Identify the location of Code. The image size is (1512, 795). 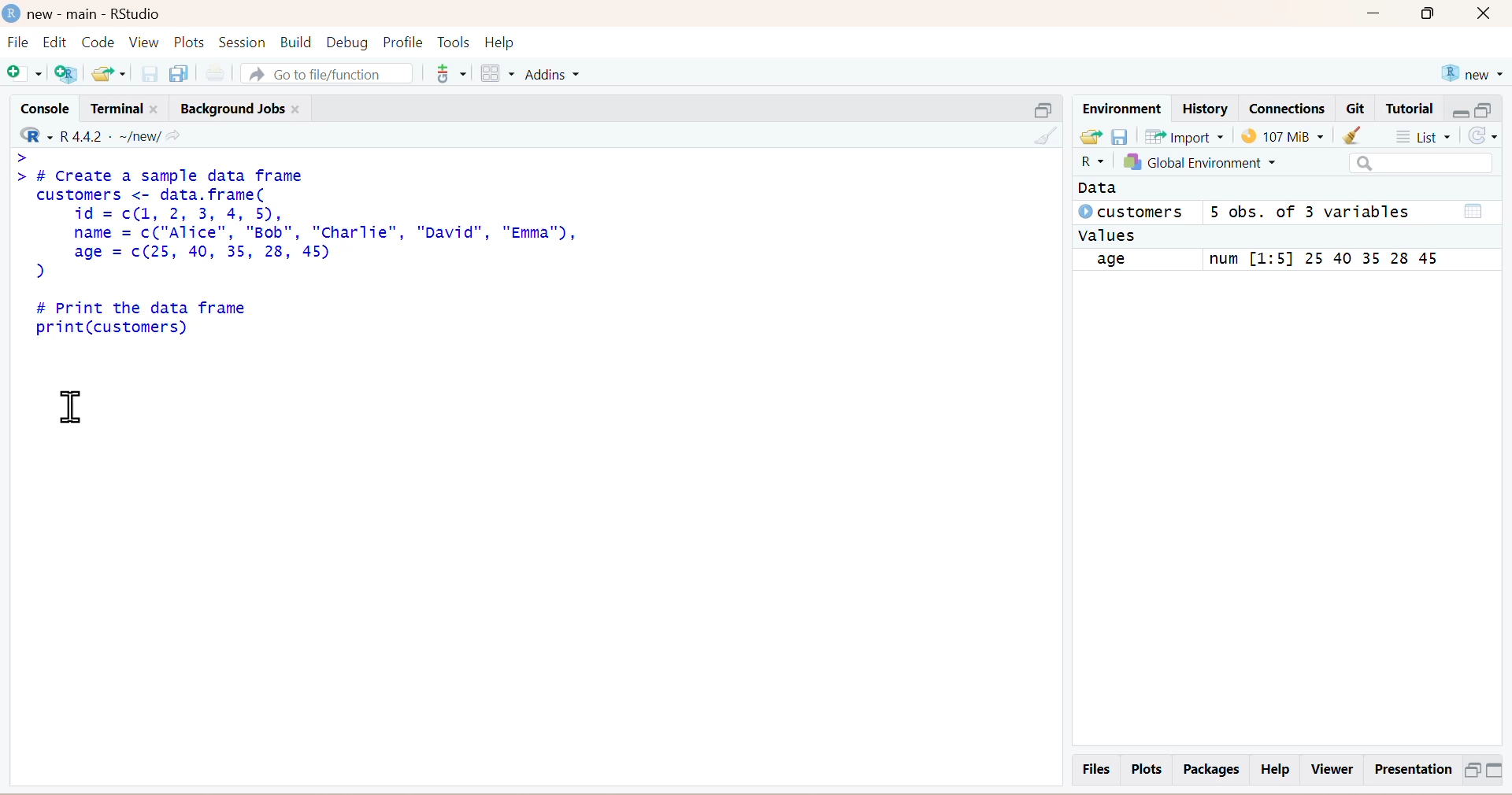
(100, 42).